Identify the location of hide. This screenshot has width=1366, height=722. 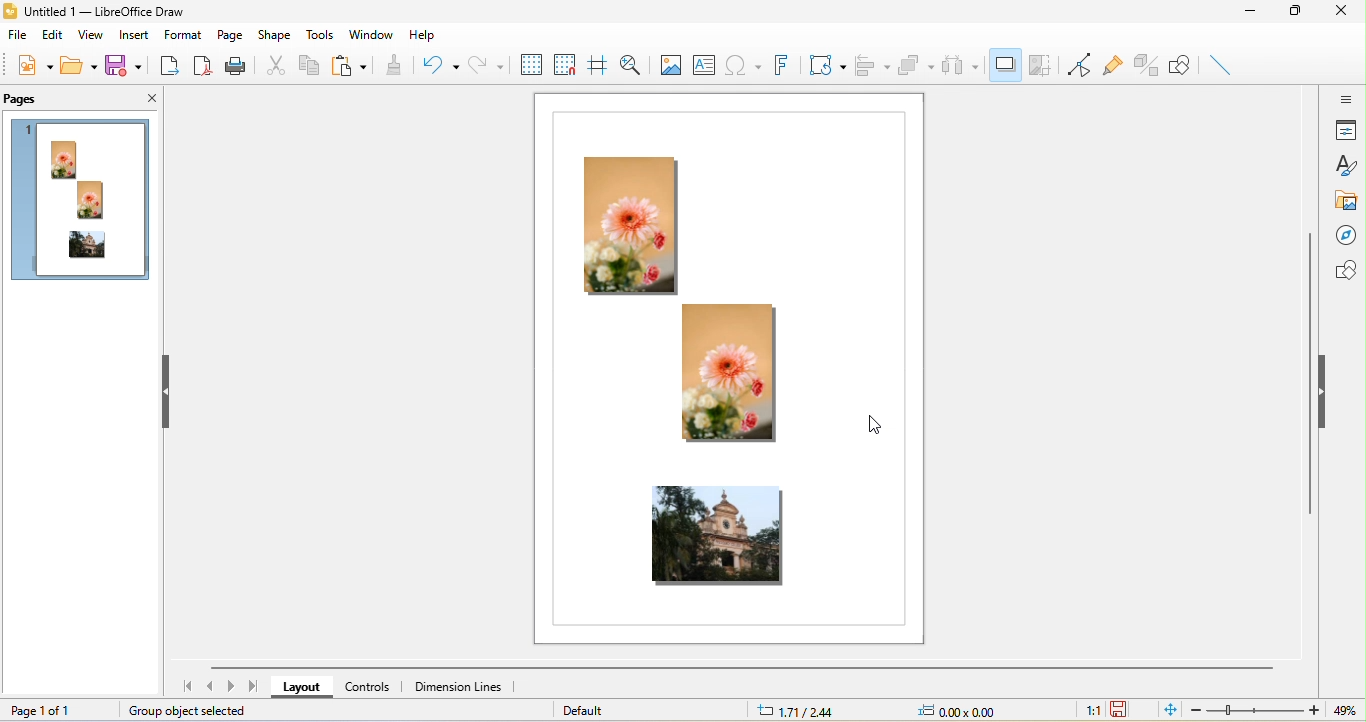
(169, 391).